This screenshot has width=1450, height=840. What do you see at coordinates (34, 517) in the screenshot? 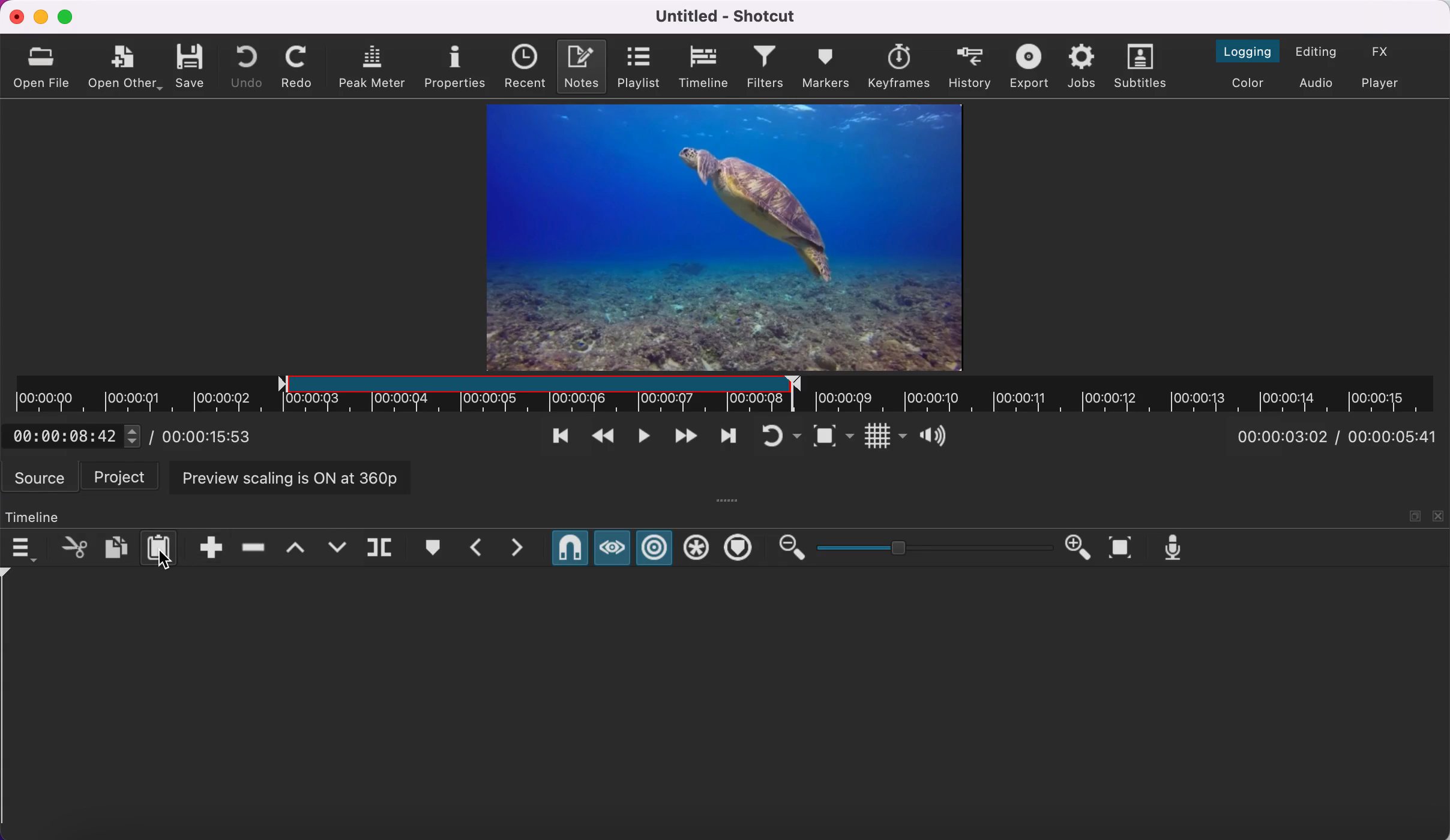
I see `timeline panel` at bounding box center [34, 517].